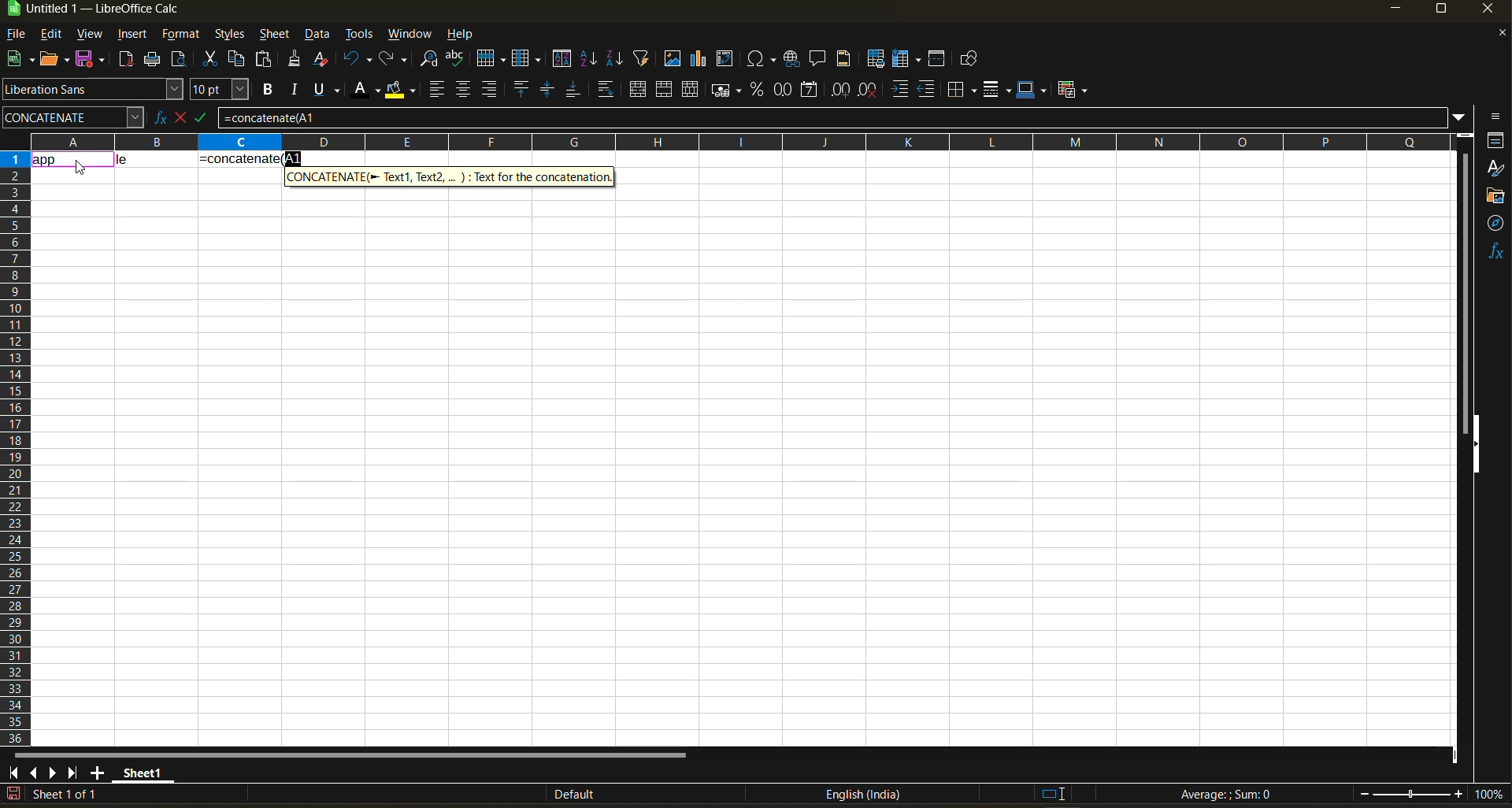  Describe the element at coordinates (869, 90) in the screenshot. I see `delete decimal place` at that location.